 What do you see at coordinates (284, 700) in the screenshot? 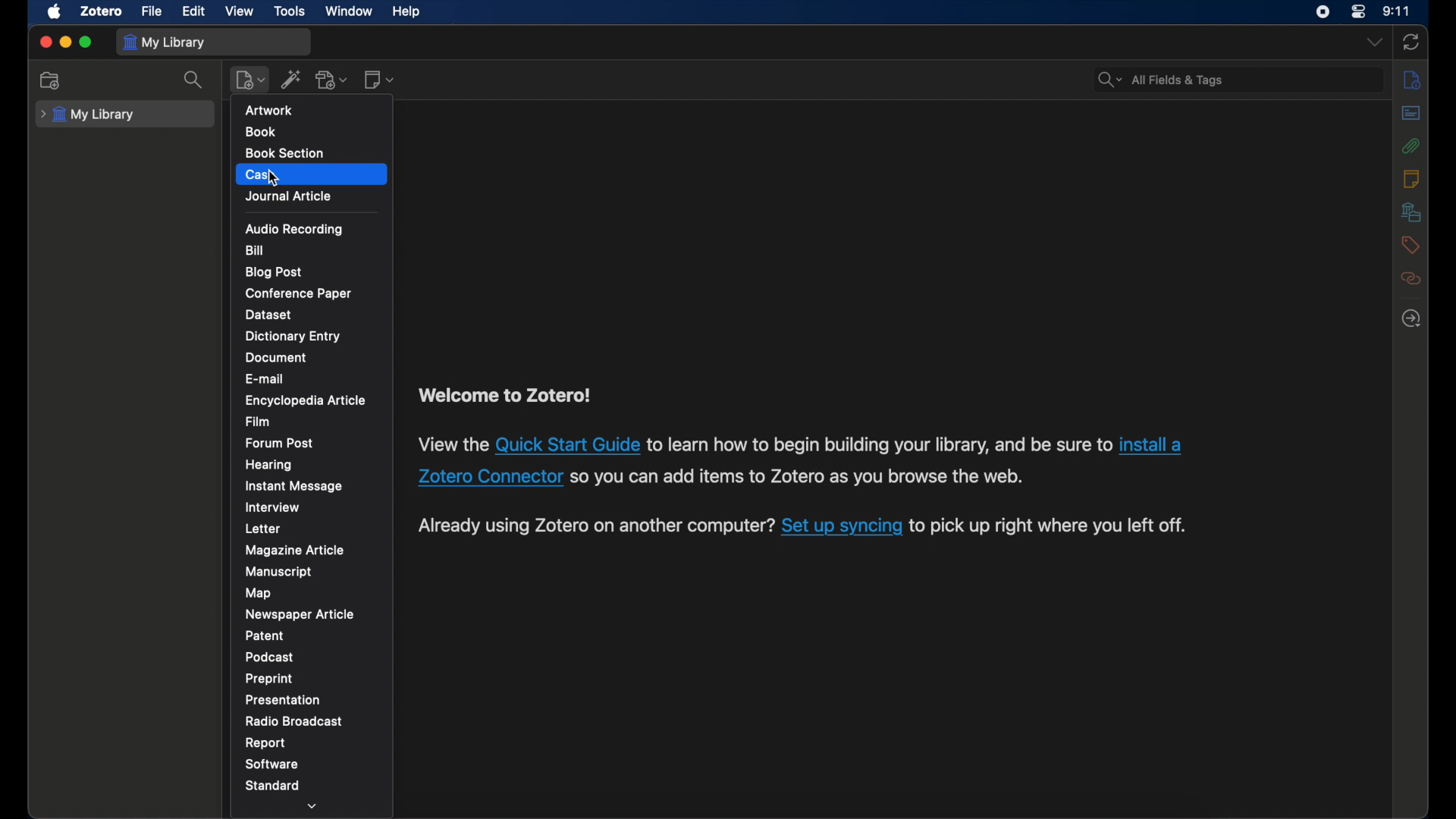
I see `presentation` at bounding box center [284, 700].